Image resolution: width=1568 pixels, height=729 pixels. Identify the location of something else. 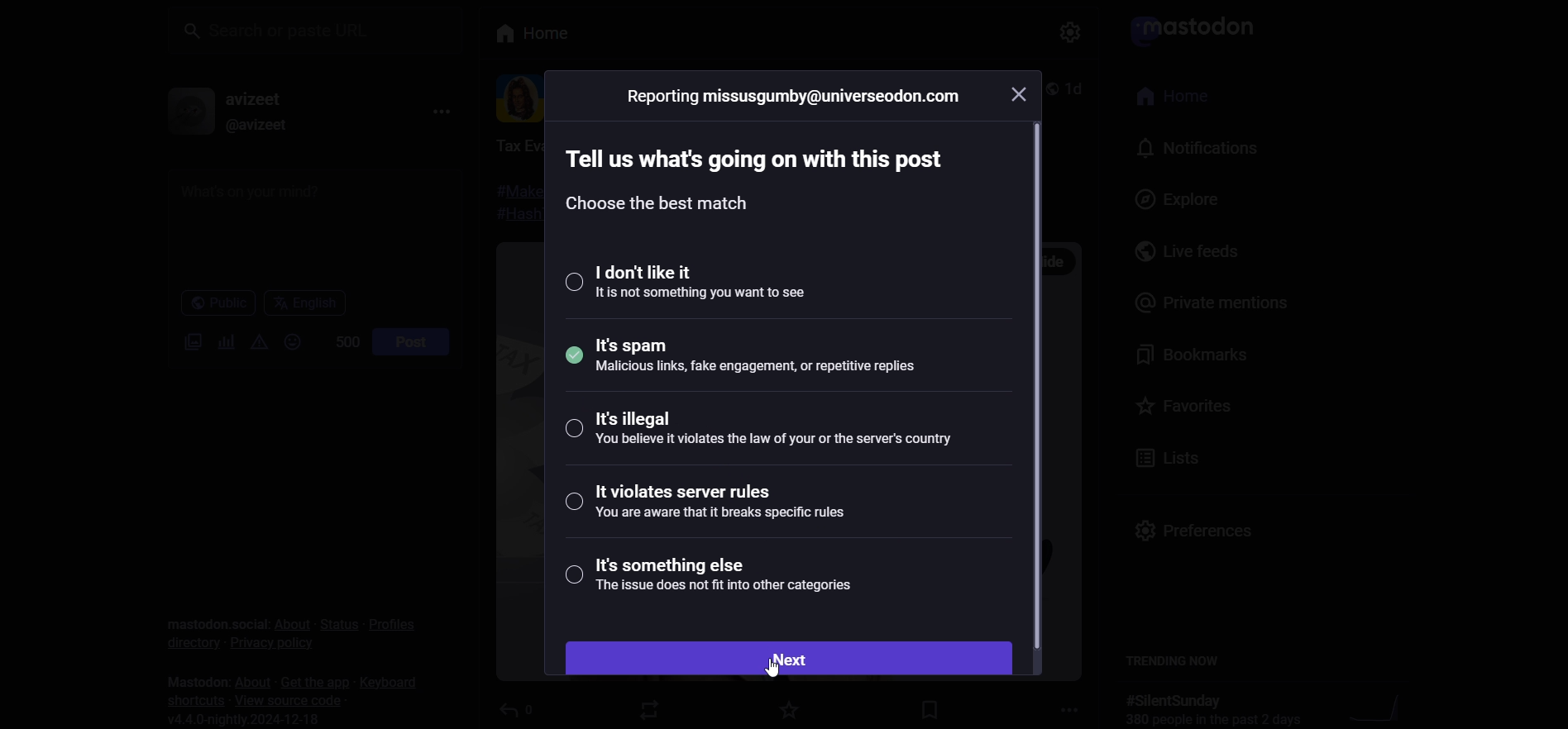
(710, 579).